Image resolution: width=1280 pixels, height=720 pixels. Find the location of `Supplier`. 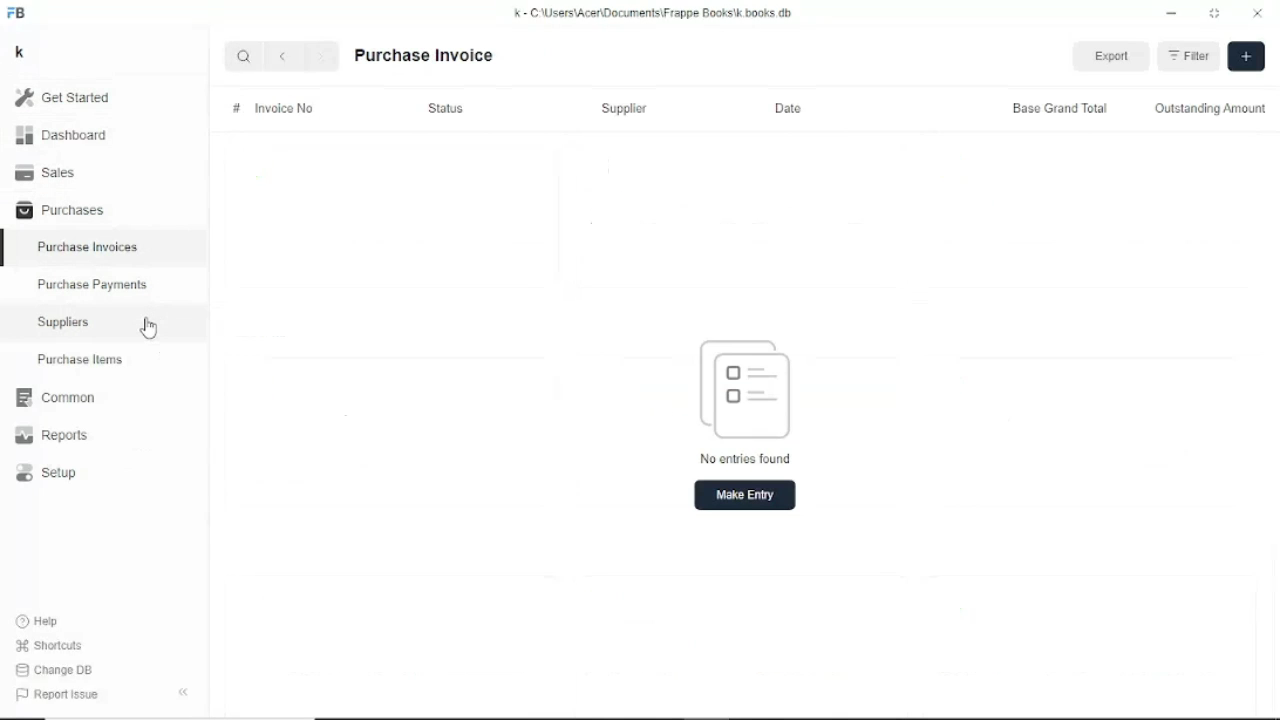

Supplier is located at coordinates (624, 108).